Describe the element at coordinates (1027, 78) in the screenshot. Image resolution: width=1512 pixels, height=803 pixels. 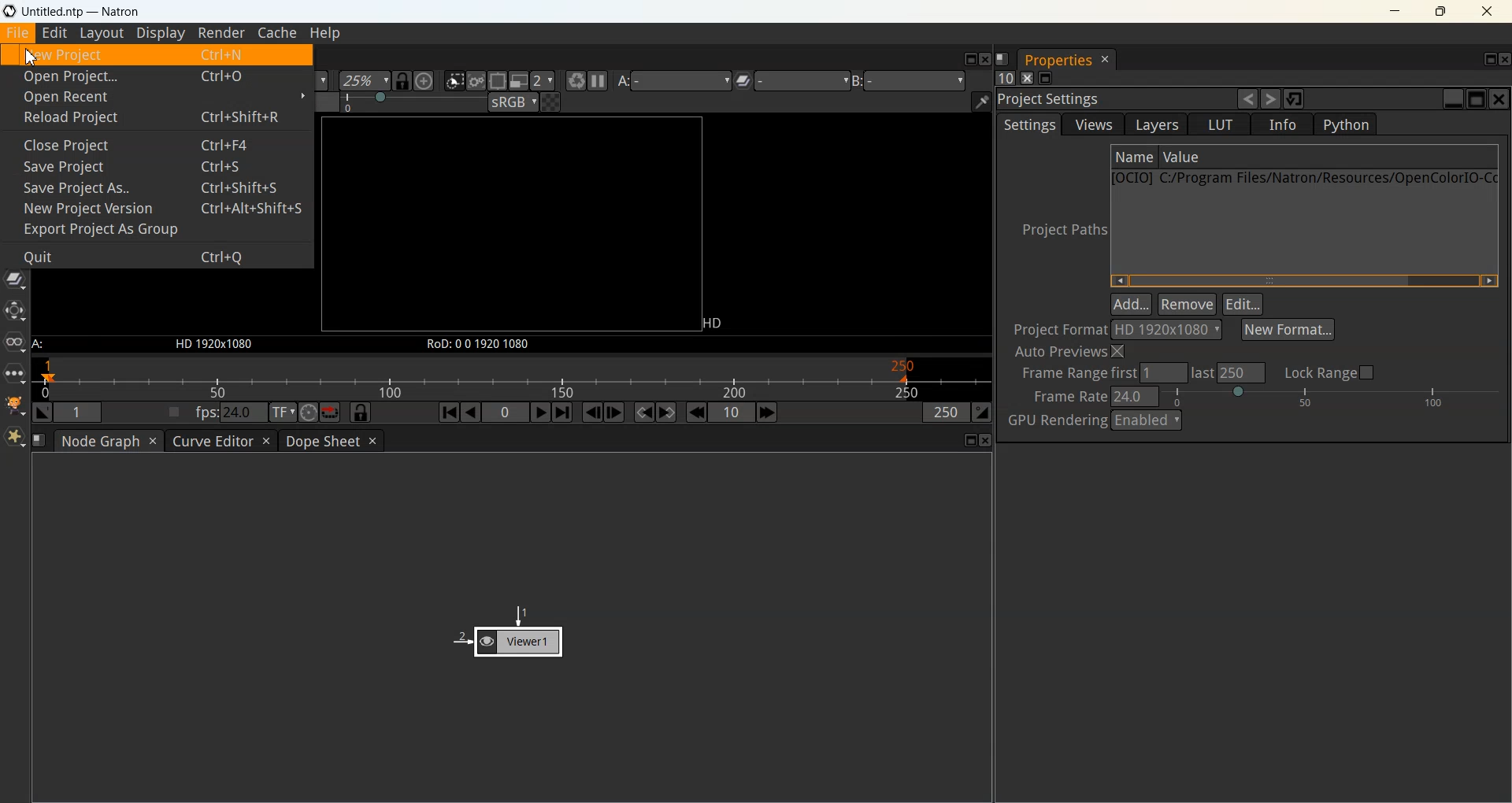
I see `Close panel` at that location.